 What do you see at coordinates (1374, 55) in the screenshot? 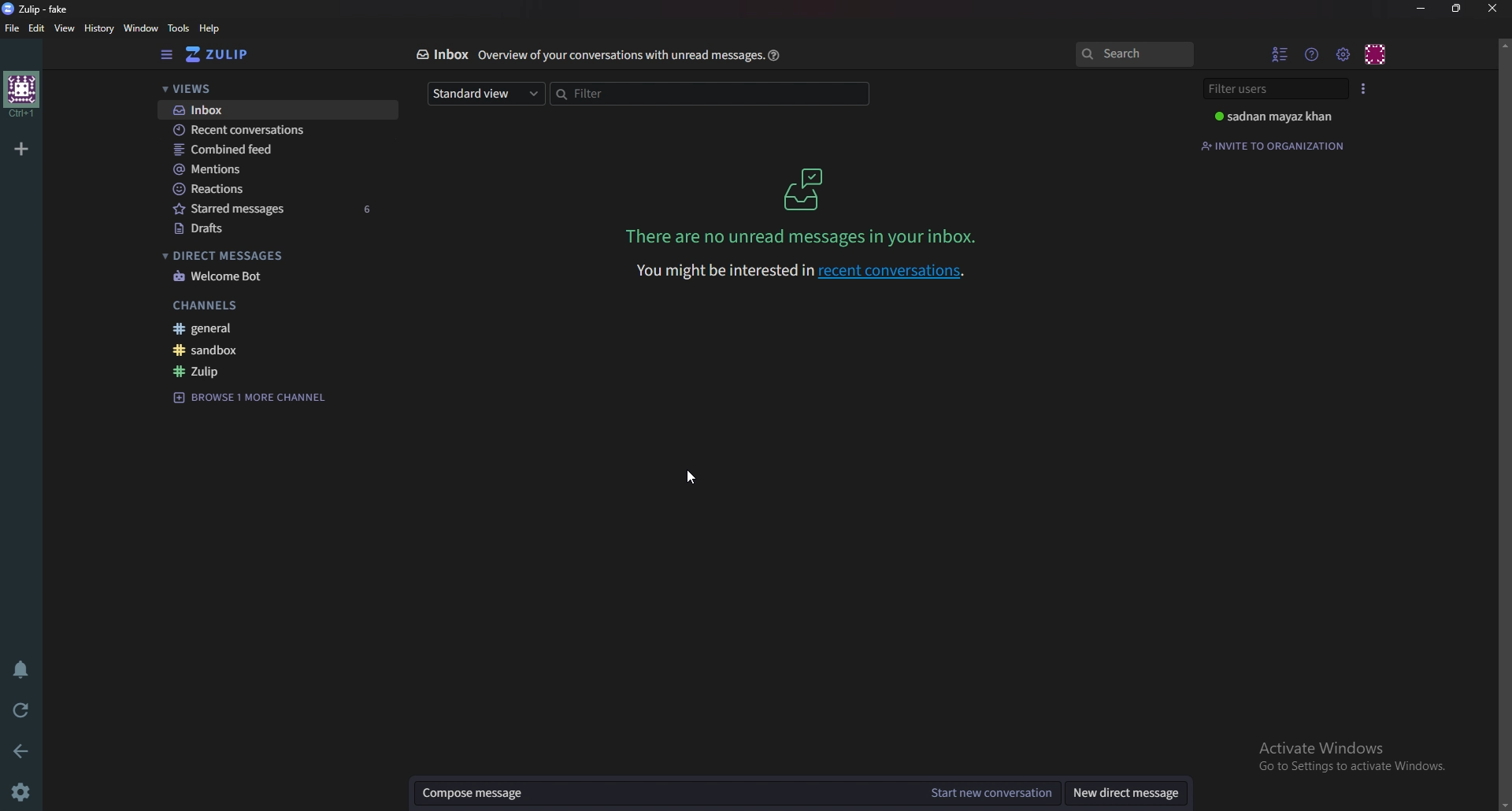
I see `Personal menu` at bounding box center [1374, 55].